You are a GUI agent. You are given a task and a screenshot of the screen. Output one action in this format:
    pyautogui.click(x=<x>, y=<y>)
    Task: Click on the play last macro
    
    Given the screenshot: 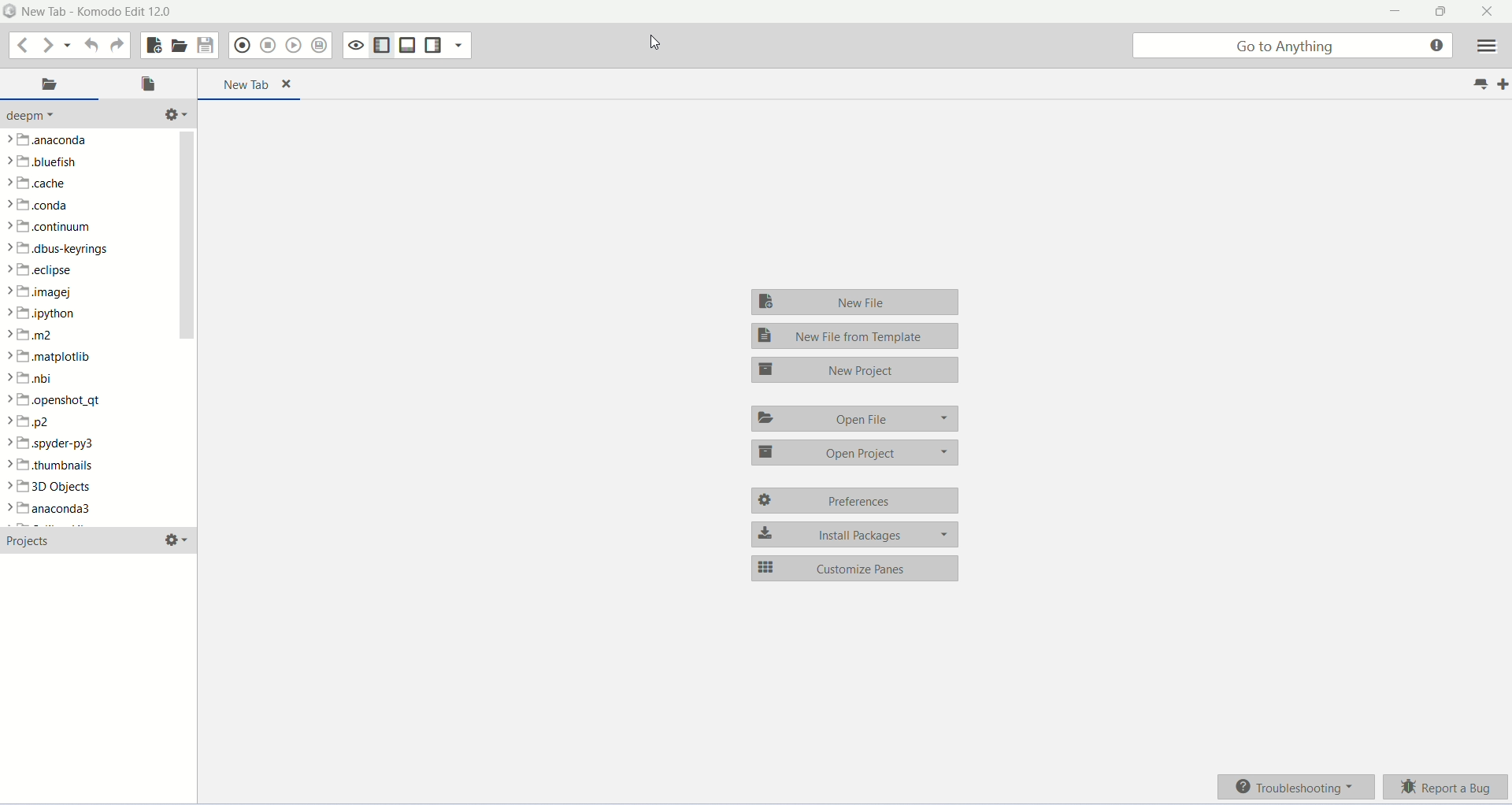 What is the action you would take?
    pyautogui.click(x=295, y=46)
    